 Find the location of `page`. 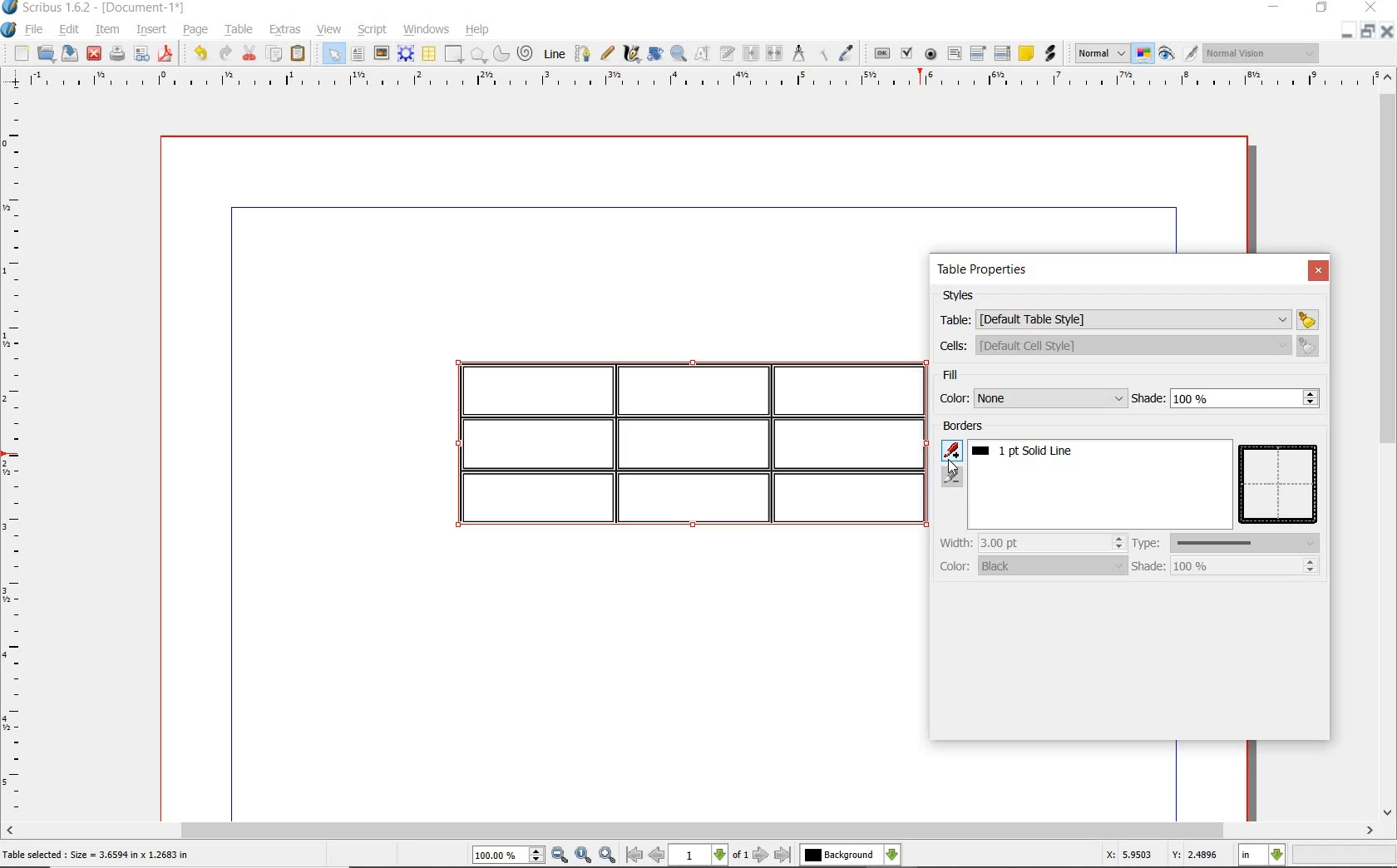

page is located at coordinates (196, 31).